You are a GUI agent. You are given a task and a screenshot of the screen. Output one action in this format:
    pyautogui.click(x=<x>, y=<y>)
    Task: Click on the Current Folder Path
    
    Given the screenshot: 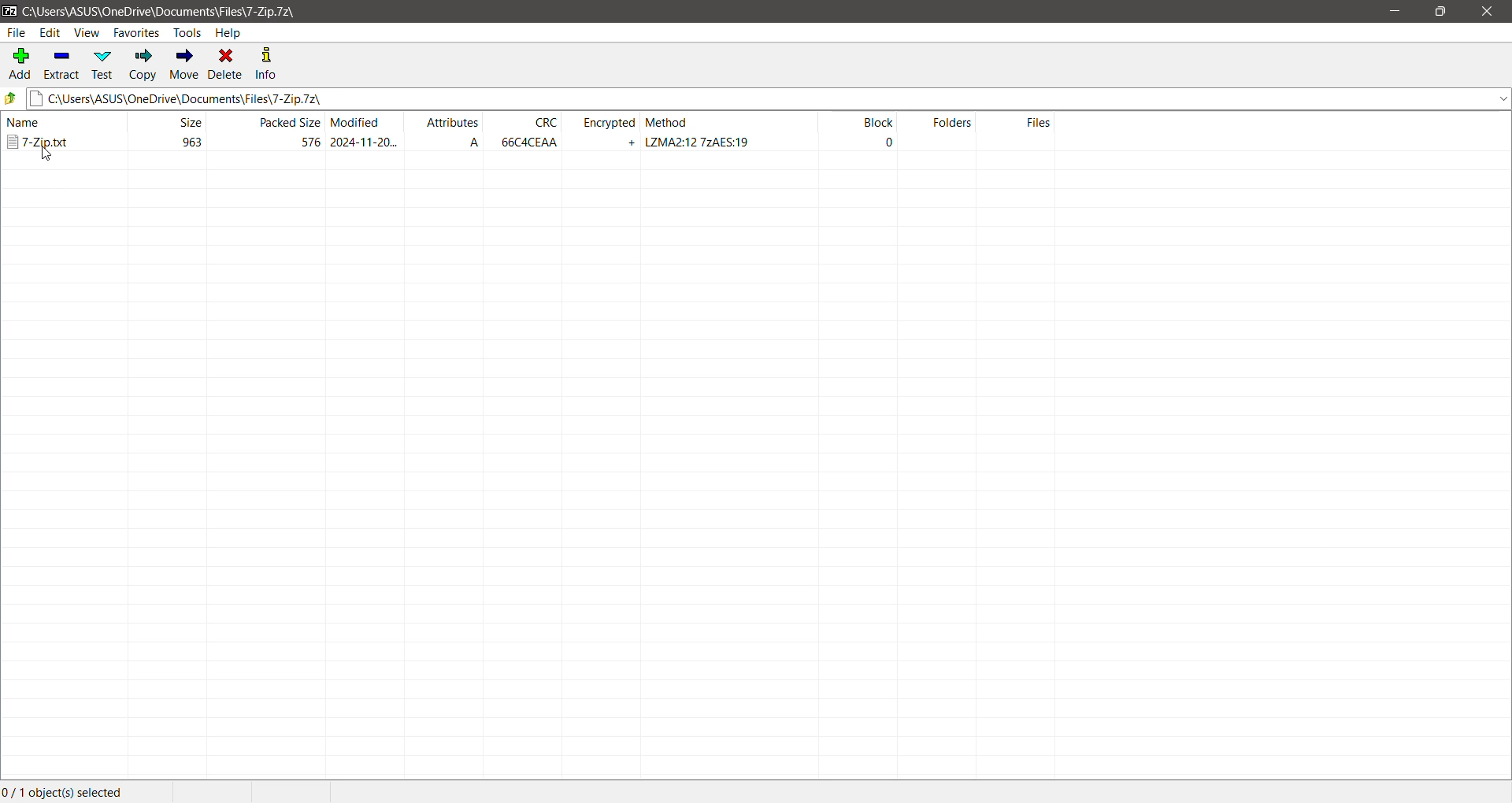 What is the action you would take?
    pyautogui.click(x=242, y=9)
    